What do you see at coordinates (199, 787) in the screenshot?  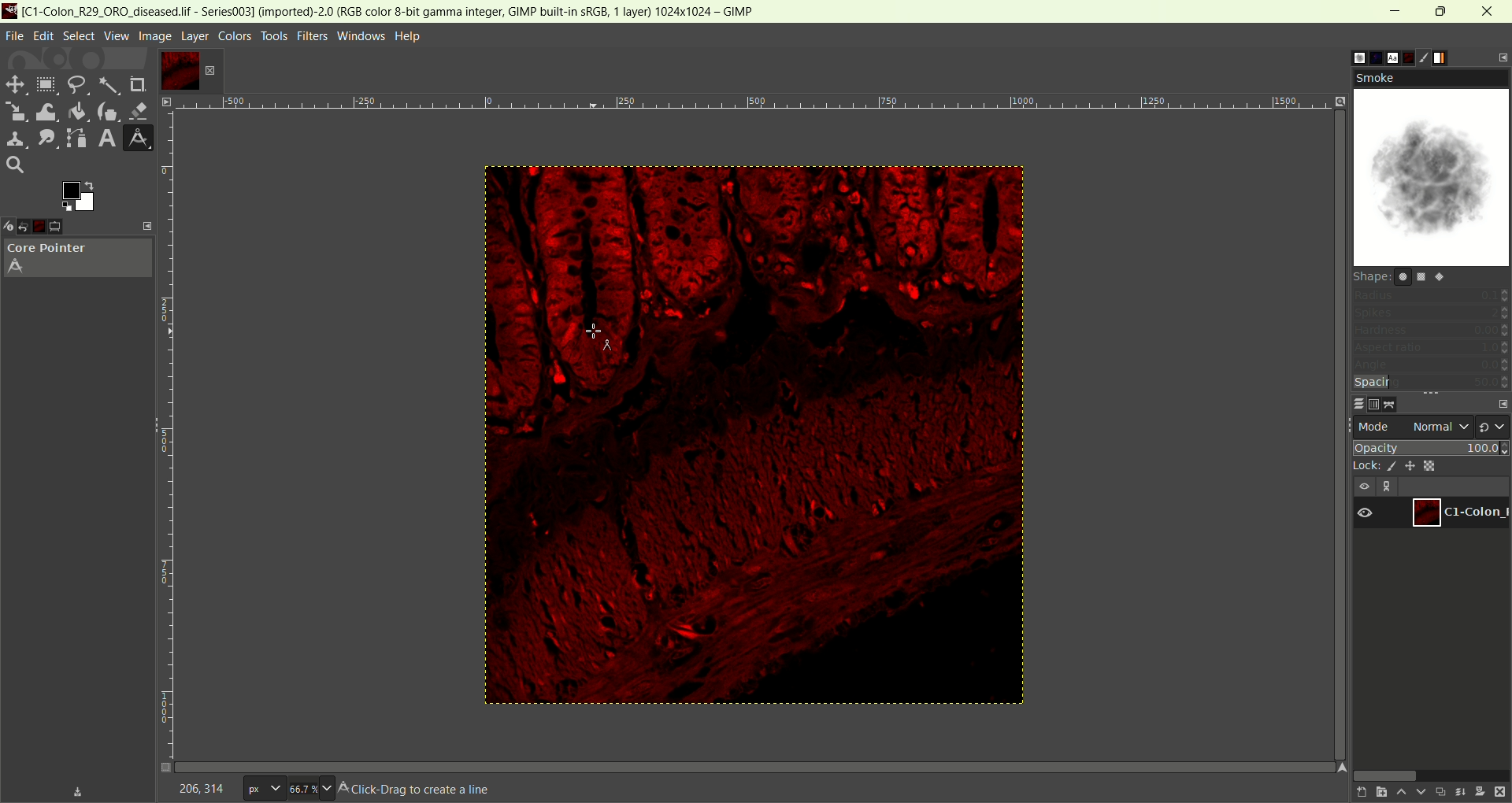 I see `coordinate` at bounding box center [199, 787].